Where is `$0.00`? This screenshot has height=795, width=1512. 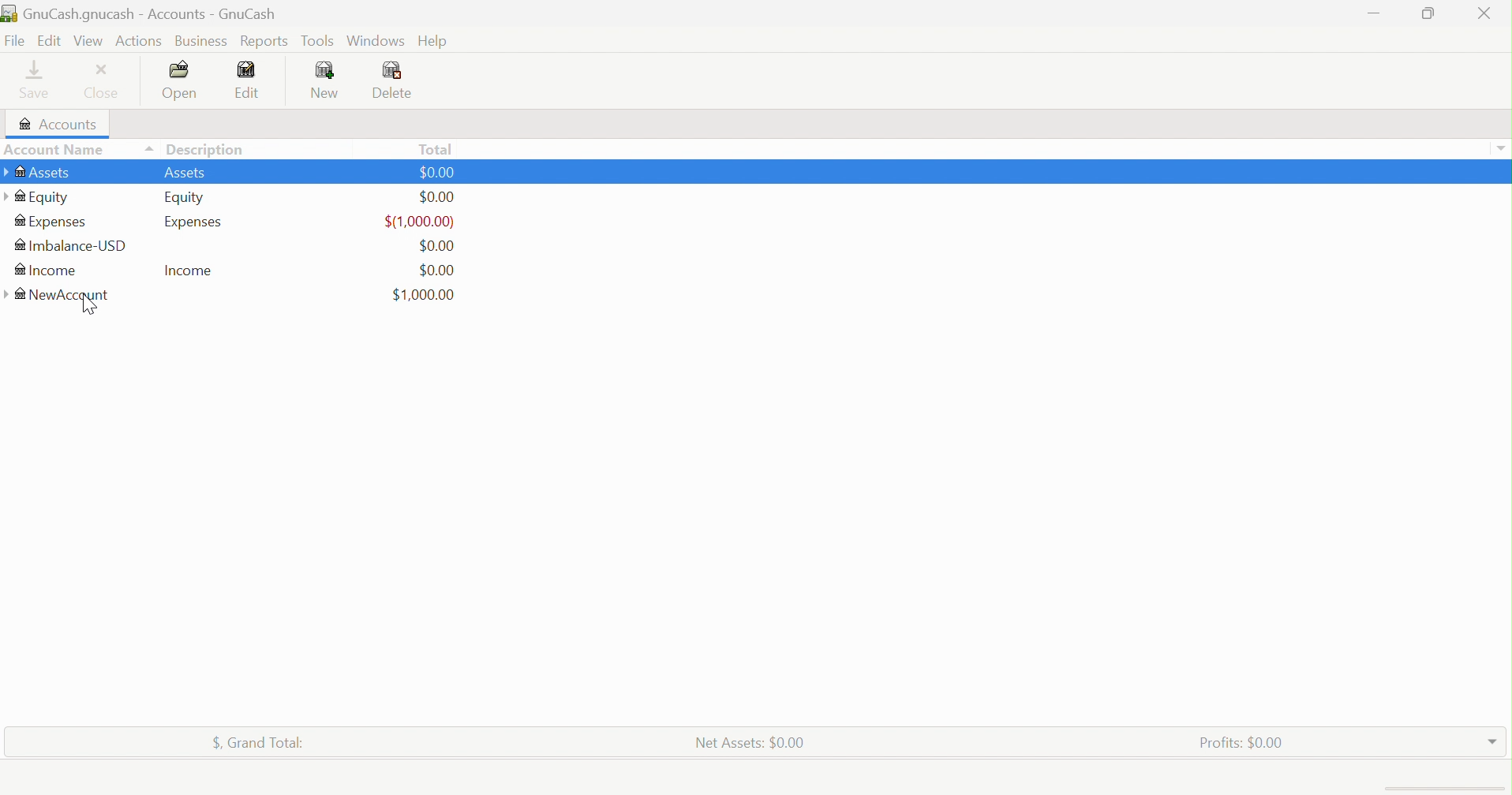
$0.00 is located at coordinates (438, 269).